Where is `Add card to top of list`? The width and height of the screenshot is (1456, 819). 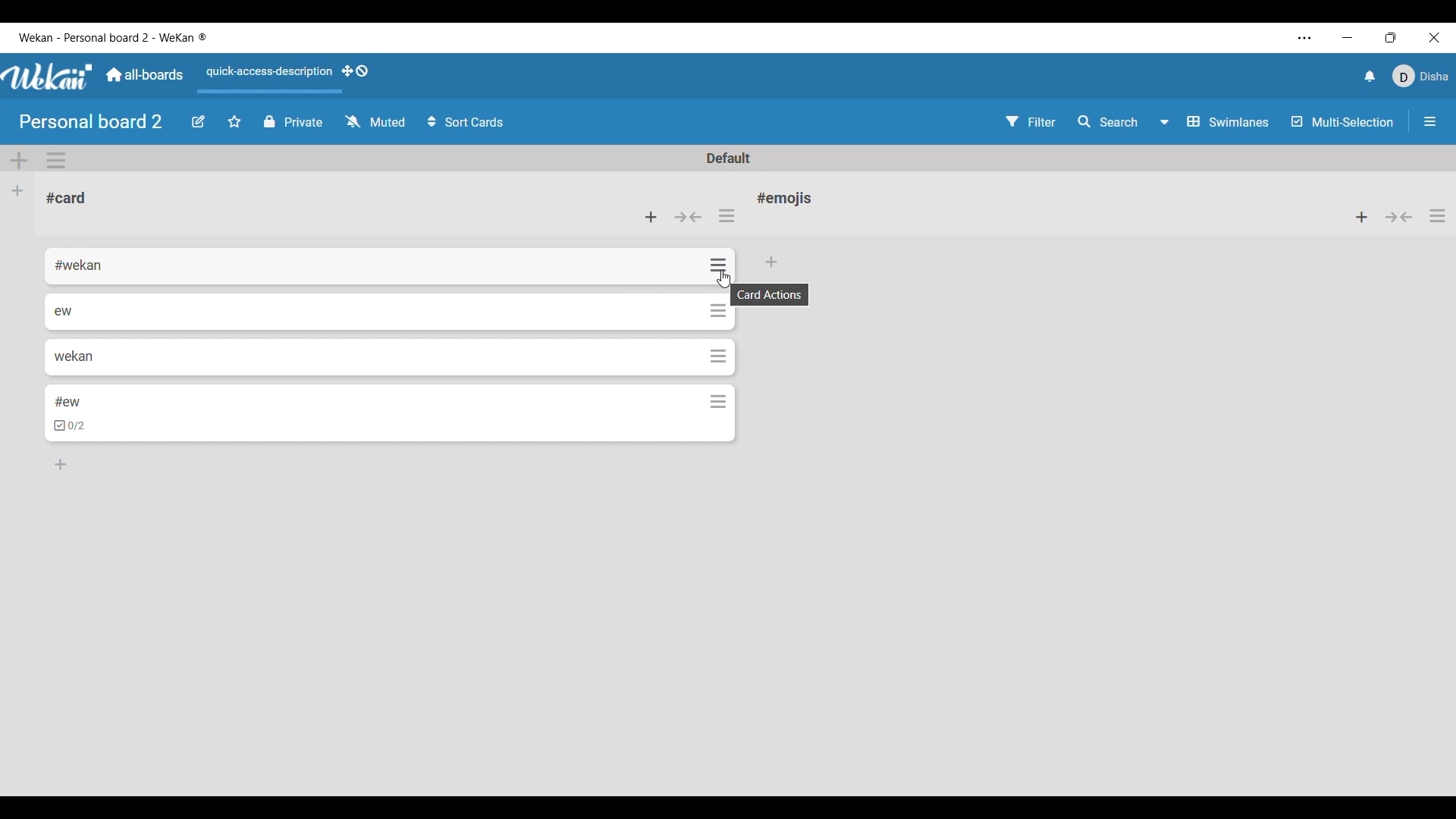 Add card to top of list is located at coordinates (1361, 217).